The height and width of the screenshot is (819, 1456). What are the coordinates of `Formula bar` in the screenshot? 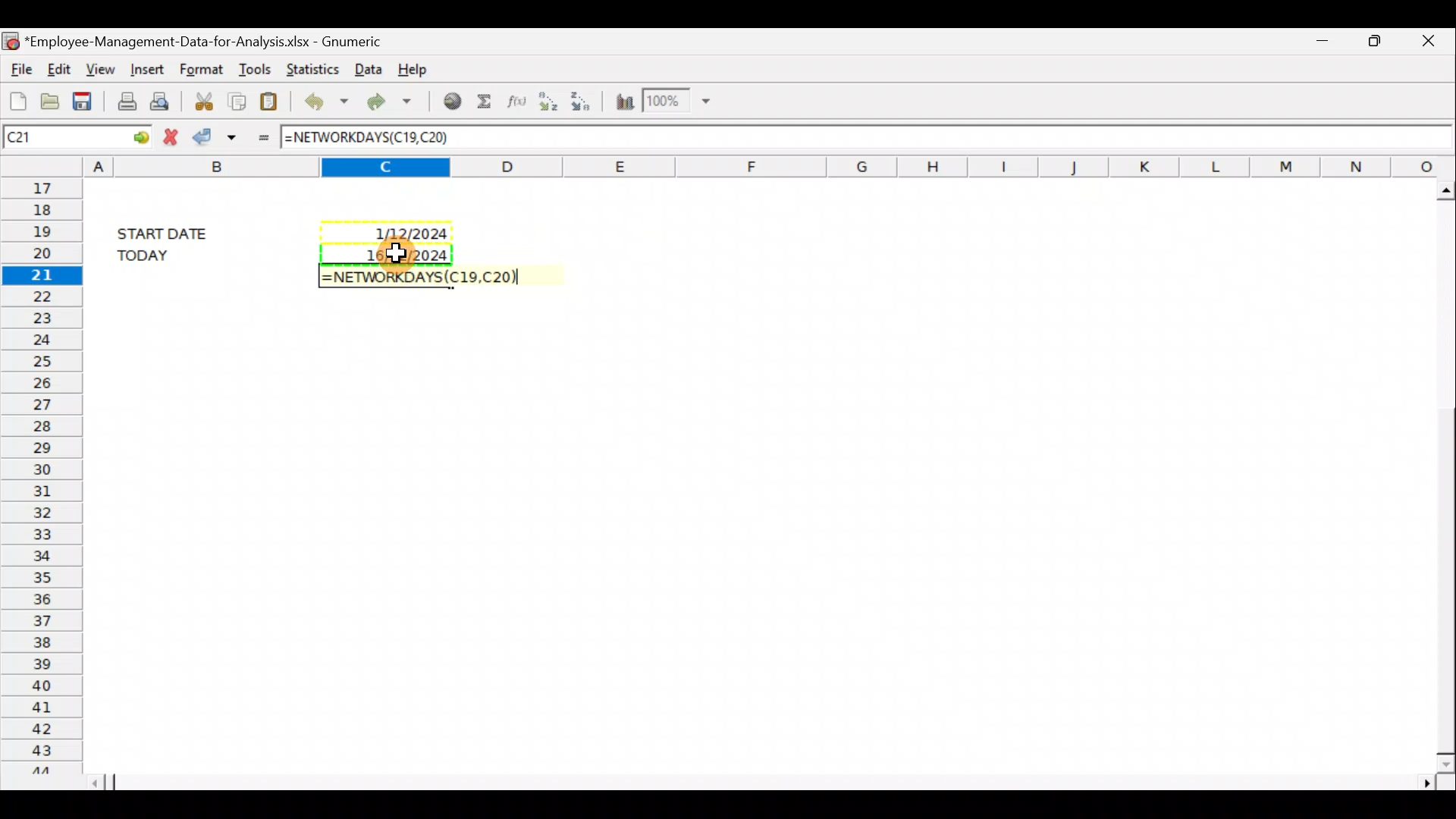 It's located at (959, 138).